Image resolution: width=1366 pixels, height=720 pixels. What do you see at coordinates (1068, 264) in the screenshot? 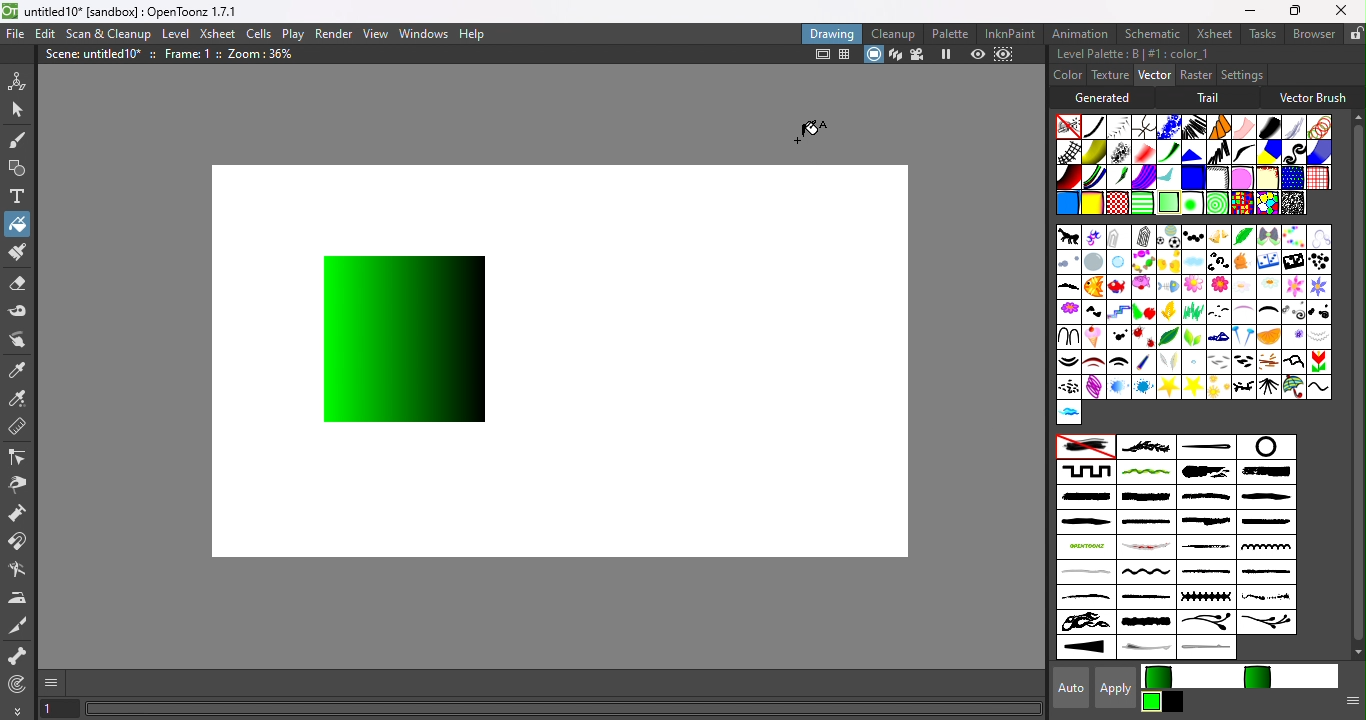
I see `Bubb` at bounding box center [1068, 264].